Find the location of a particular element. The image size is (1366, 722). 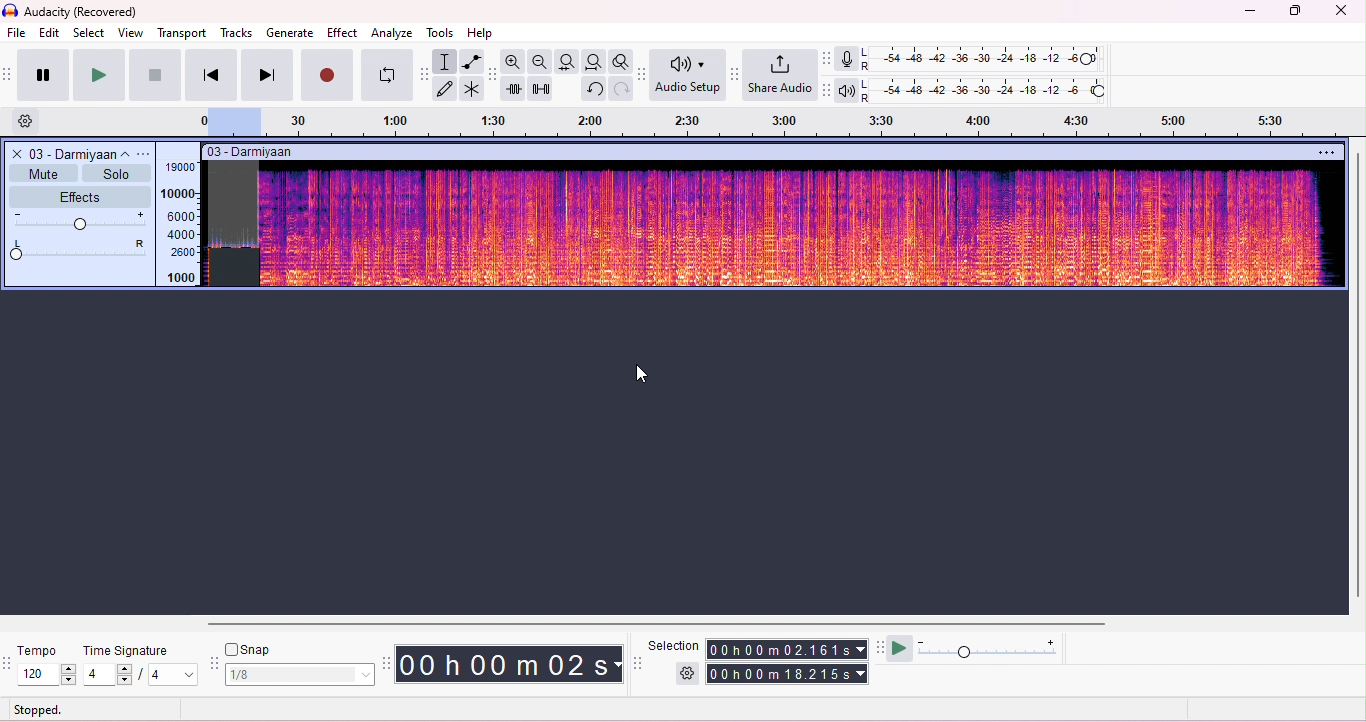

selection tool bar is located at coordinates (638, 663).